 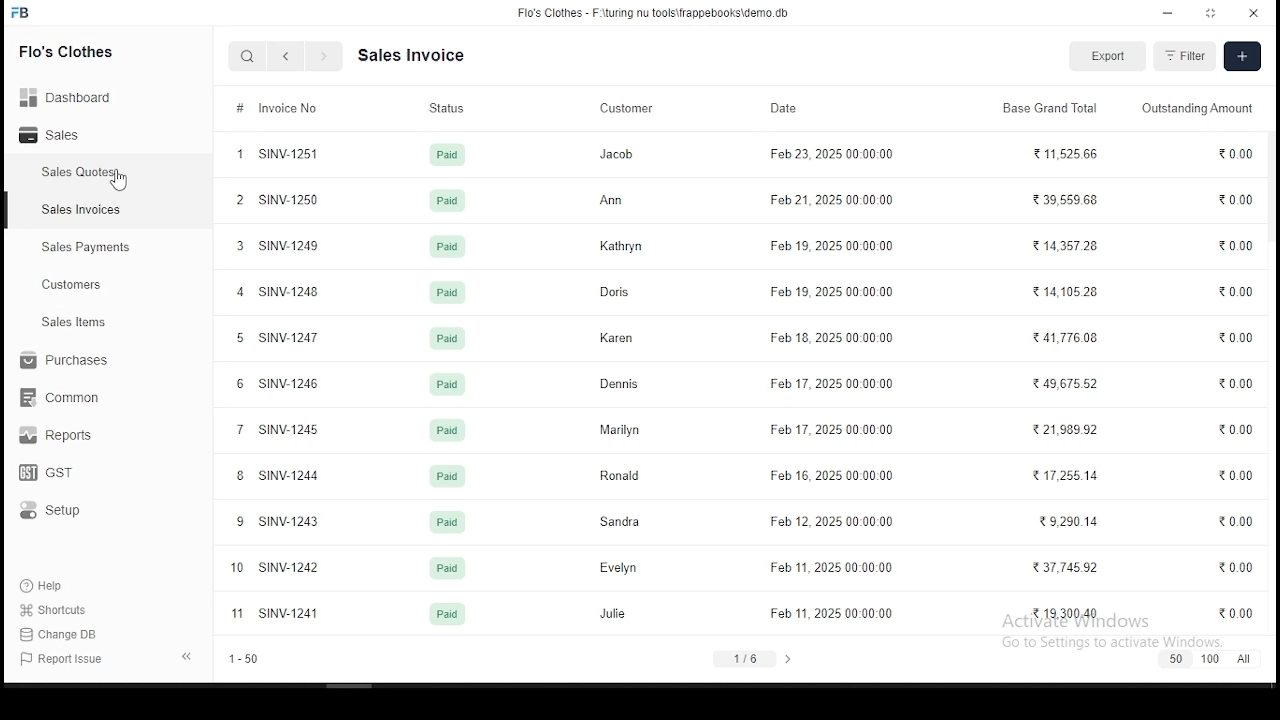 I want to click on 0.00, so click(x=1231, y=290).